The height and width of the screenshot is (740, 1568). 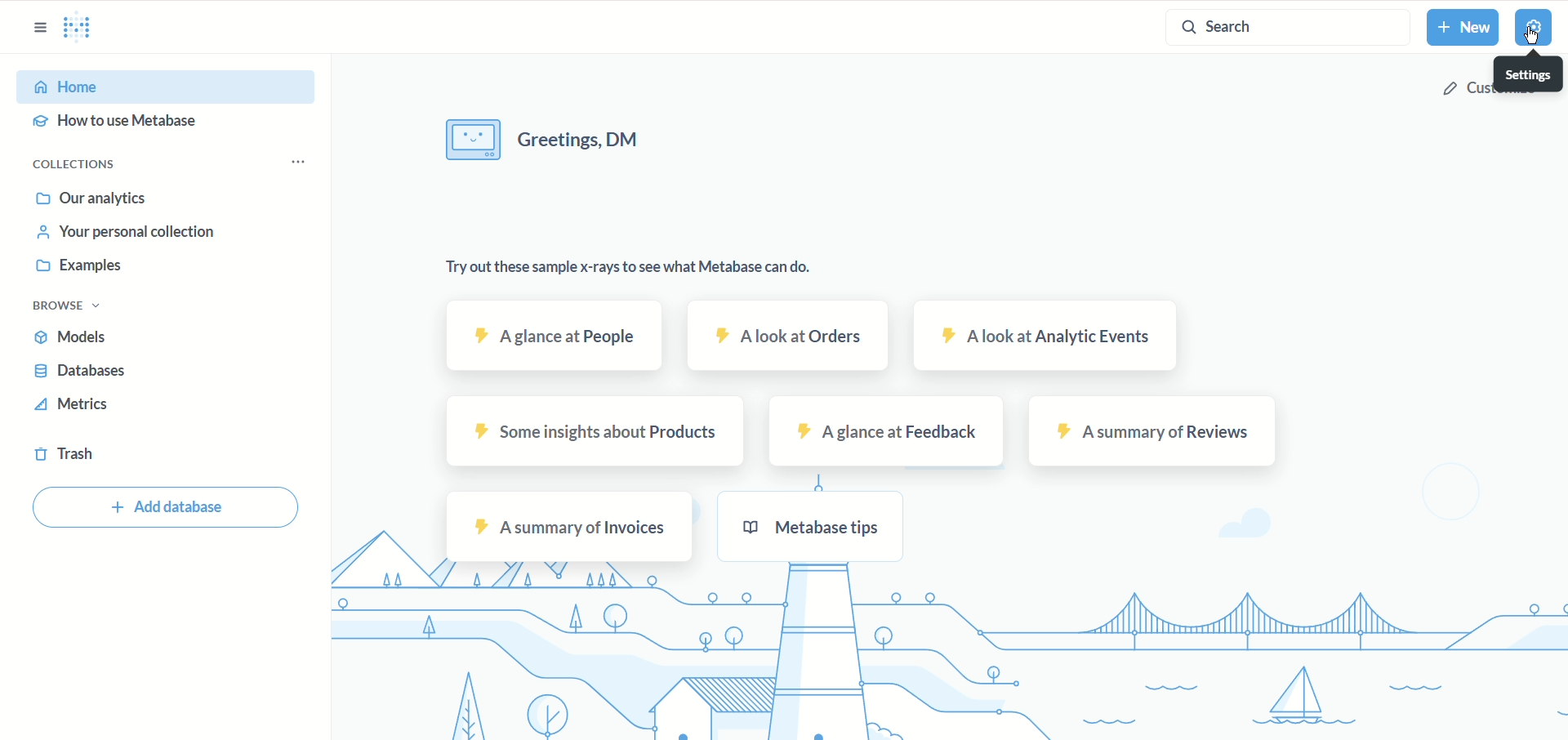 What do you see at coordinates (615, 139) in the screenshot?
I see `Greeting, DM` at bounding box center [615, 139].